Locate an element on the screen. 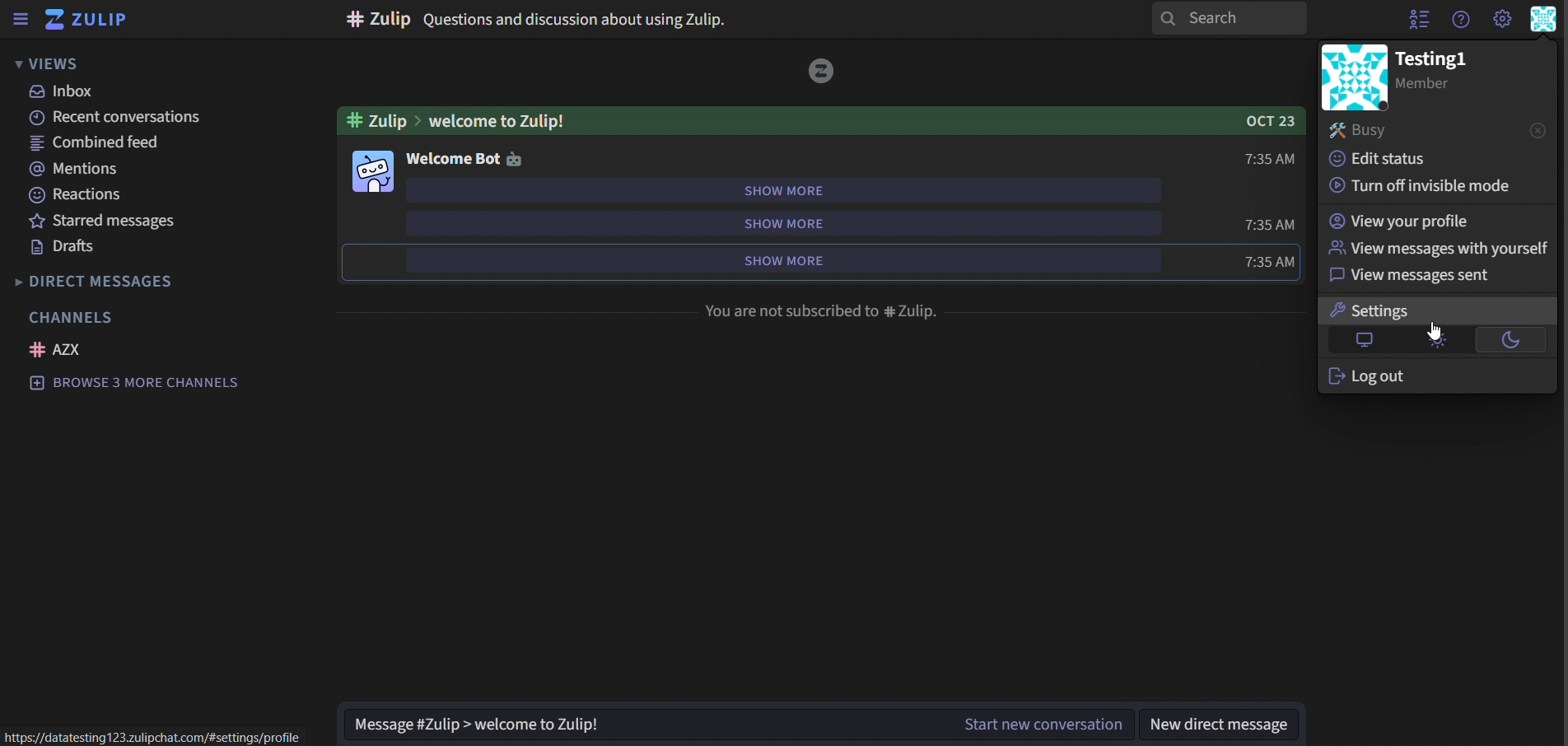 The height and width of the screenshot is (746, 1568). Main Menu is located at coordinates (1542, 20).